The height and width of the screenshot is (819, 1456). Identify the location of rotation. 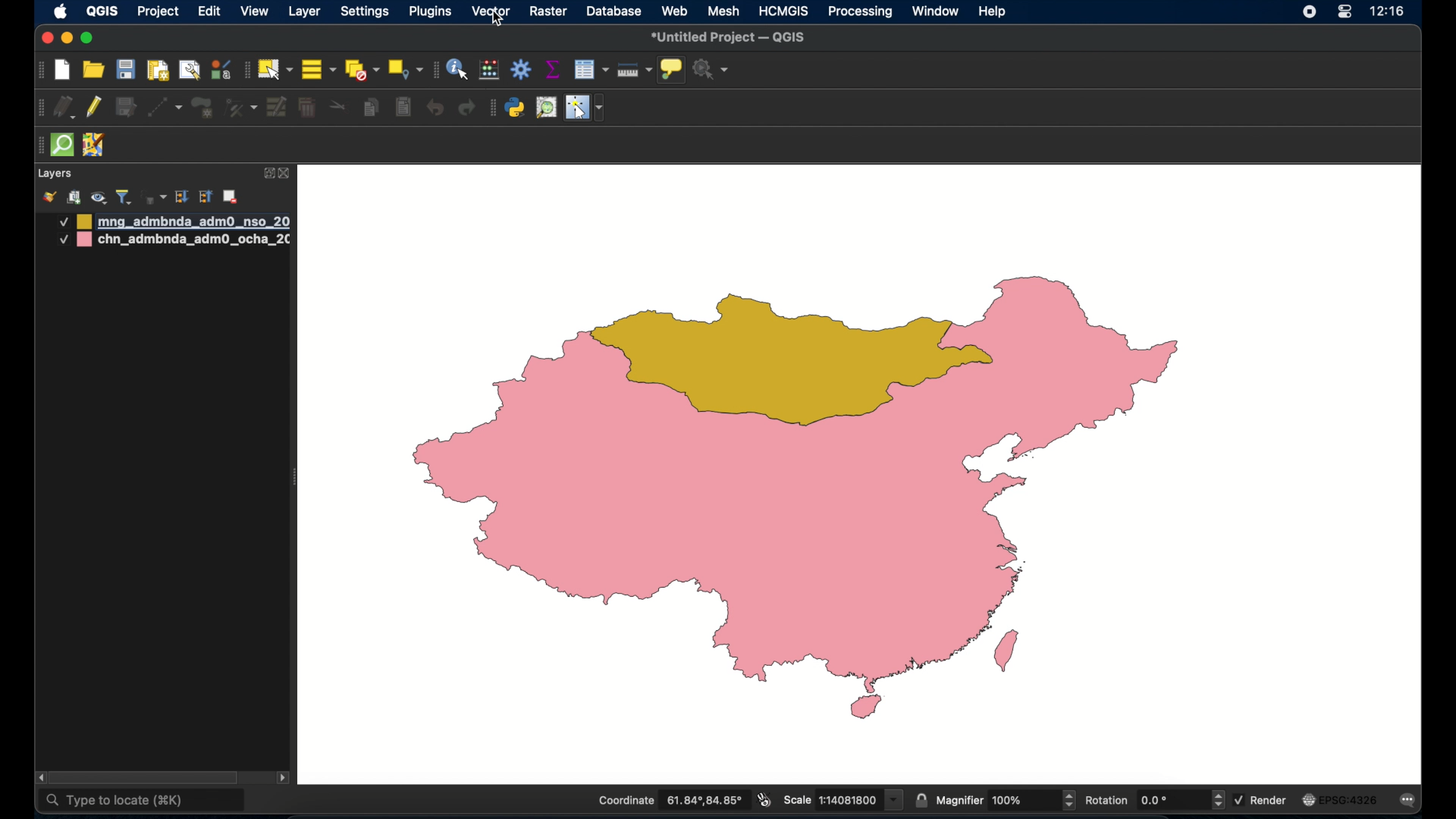
(1153, 801).